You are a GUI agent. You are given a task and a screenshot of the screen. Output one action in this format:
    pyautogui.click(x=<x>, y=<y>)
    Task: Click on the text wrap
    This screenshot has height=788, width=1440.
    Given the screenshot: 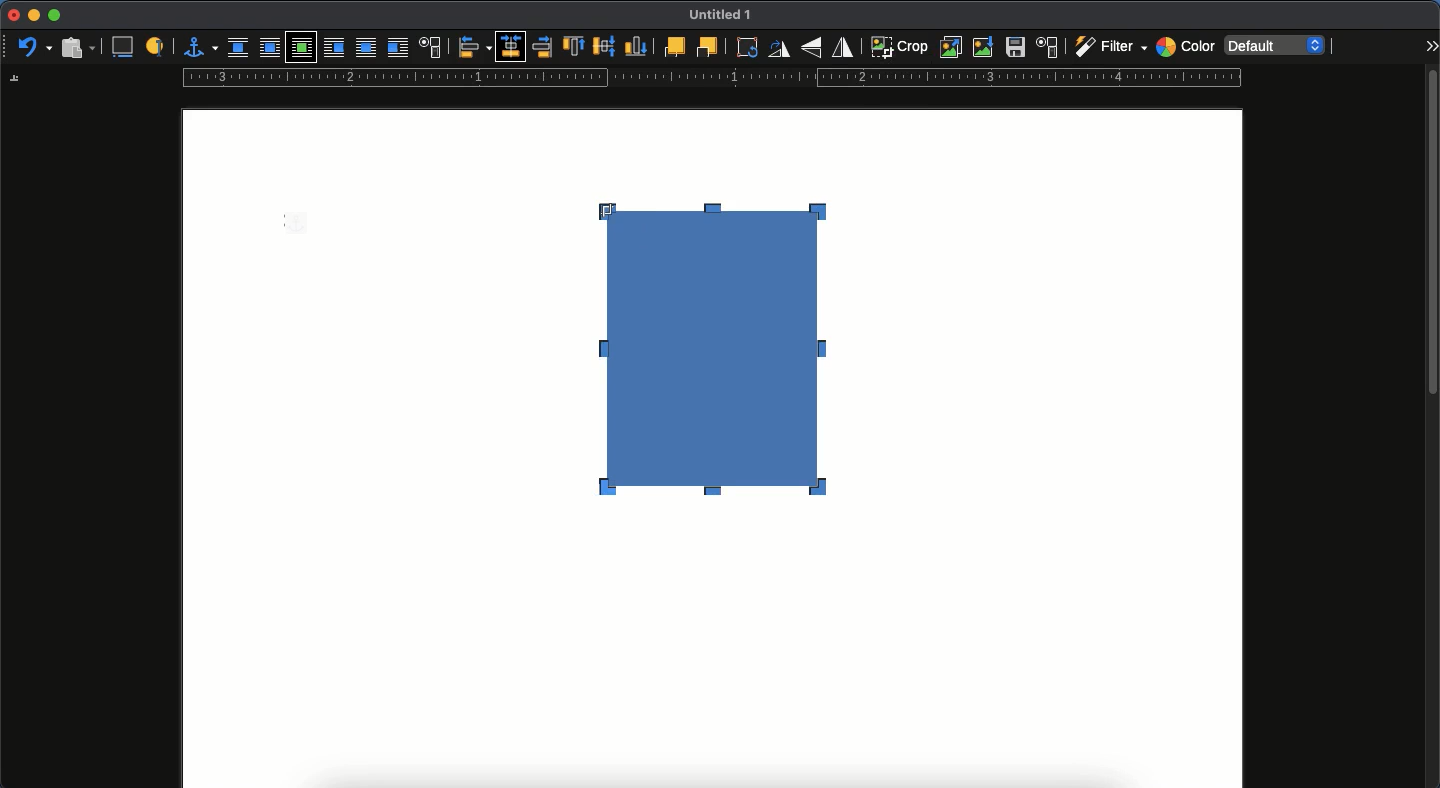 What is the action you would take?
    pyautogui.click(x=431, y=49)
    